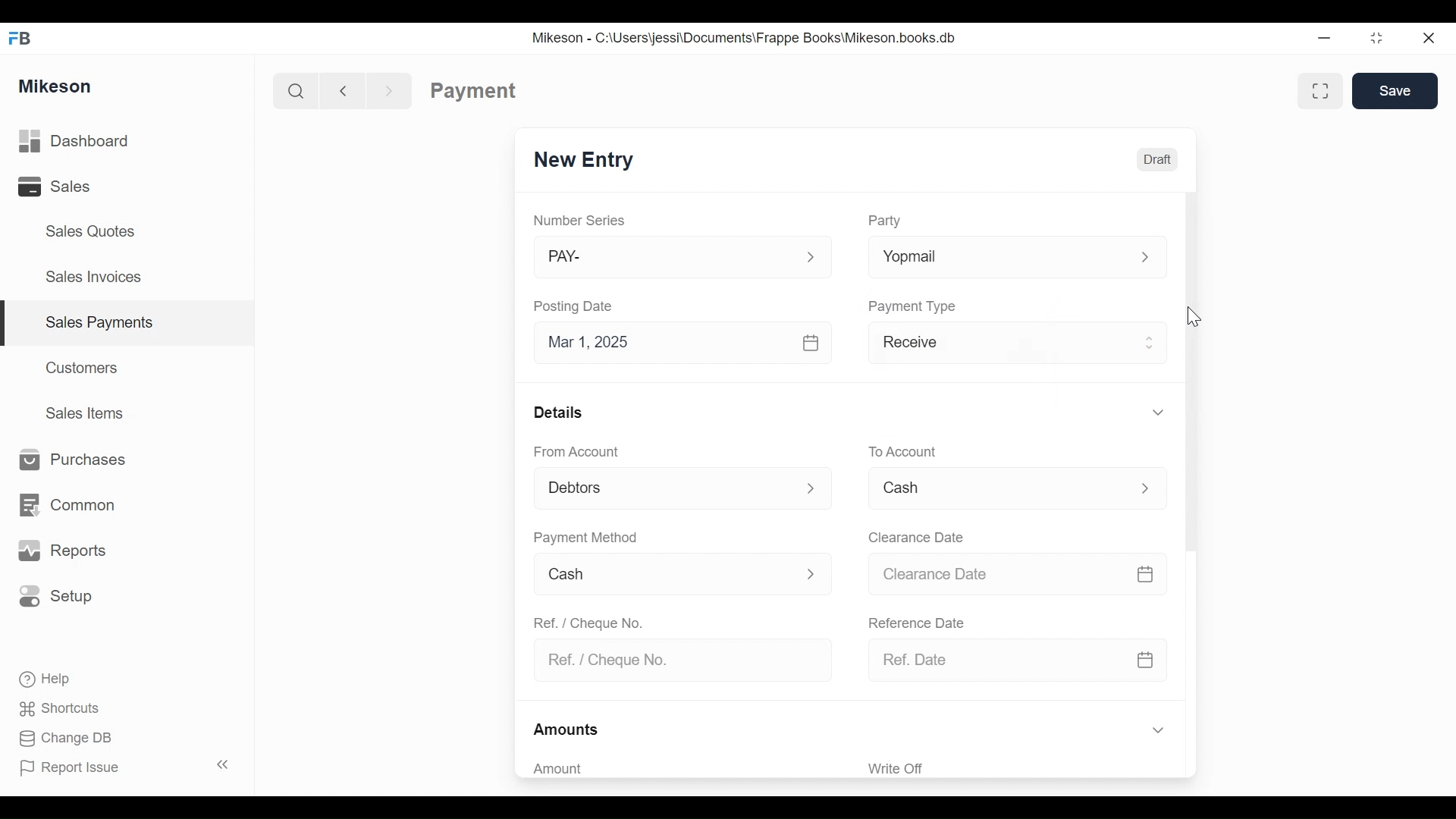 The width and height of the screenshot is (1456, 819). Describe the element at coordinates (682, 573) in the screenshot. I see `Cash` at that location.